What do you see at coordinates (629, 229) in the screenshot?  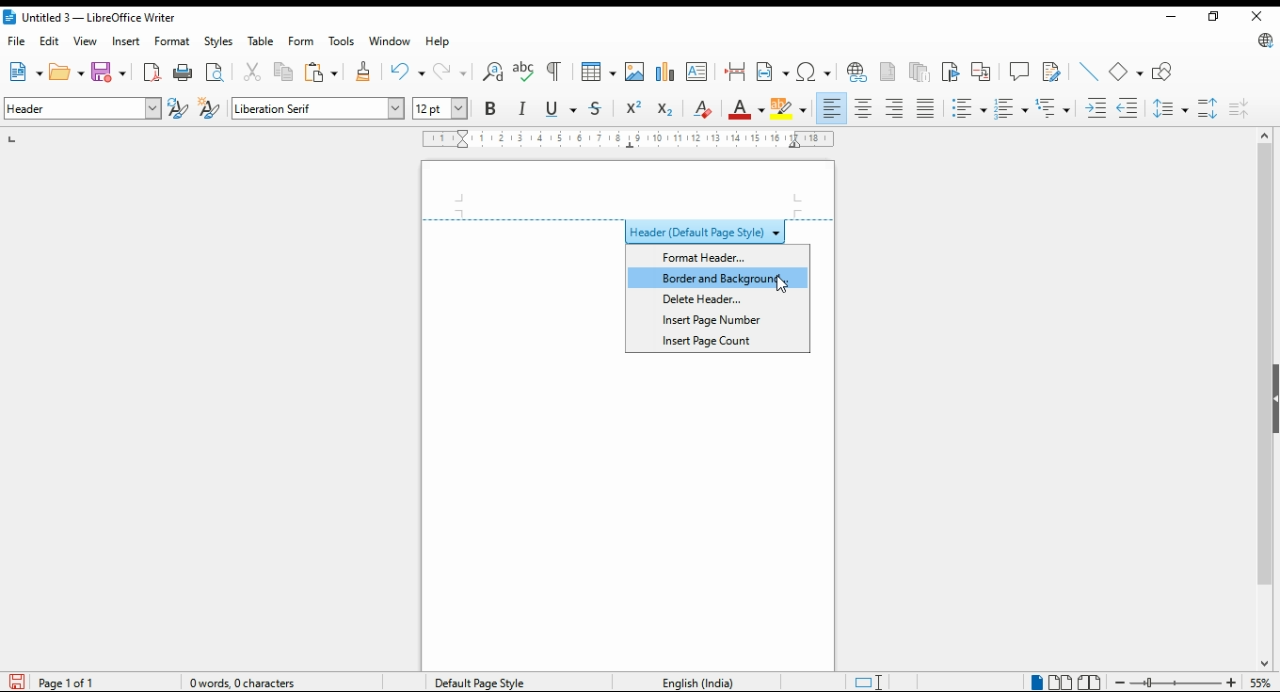 I see `header style menu` at bounding box center [629, 229].